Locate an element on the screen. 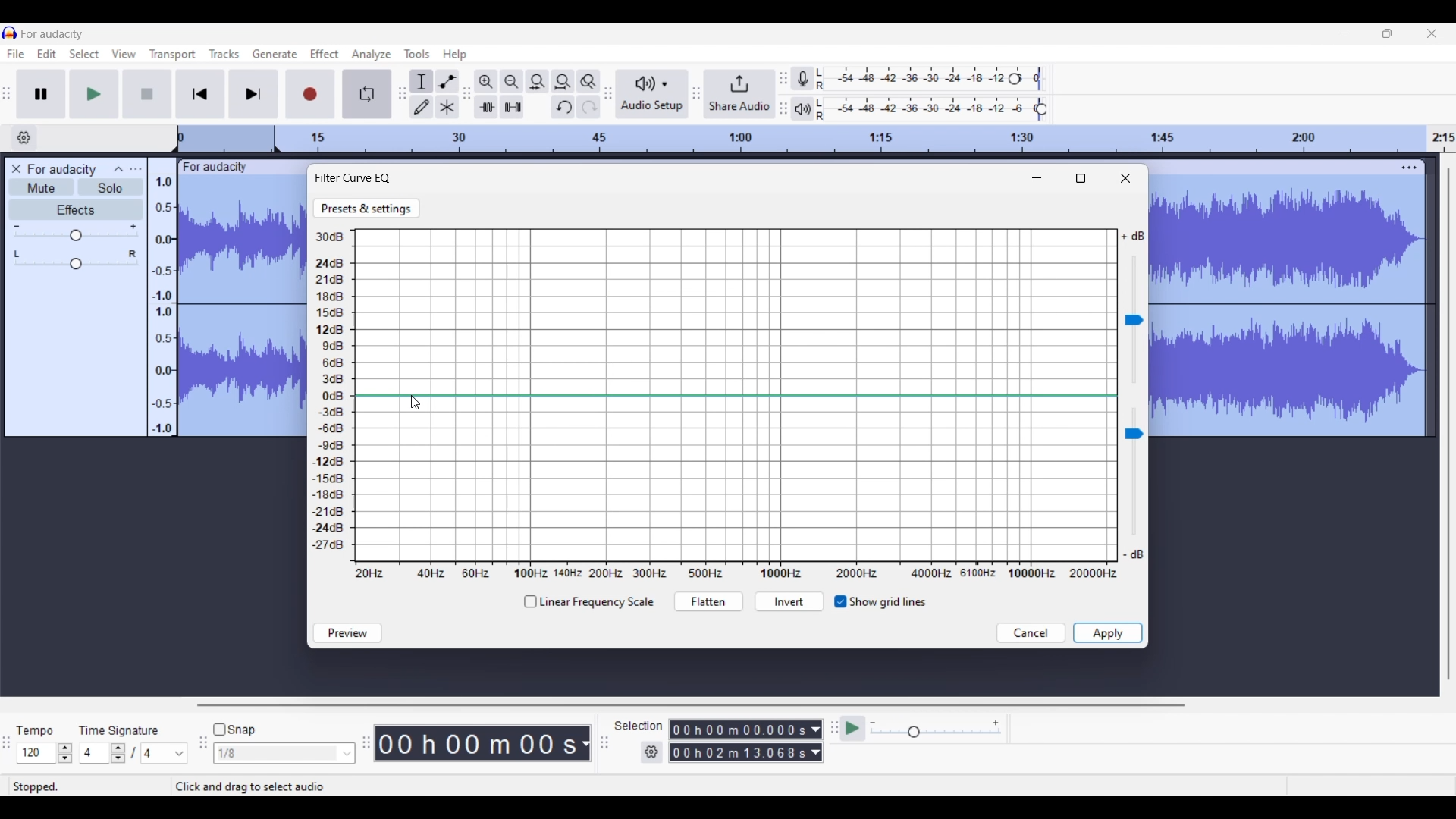 The width and height of the screenshot is (1456, 819). Track selected is located at coordinates (1290, 309).